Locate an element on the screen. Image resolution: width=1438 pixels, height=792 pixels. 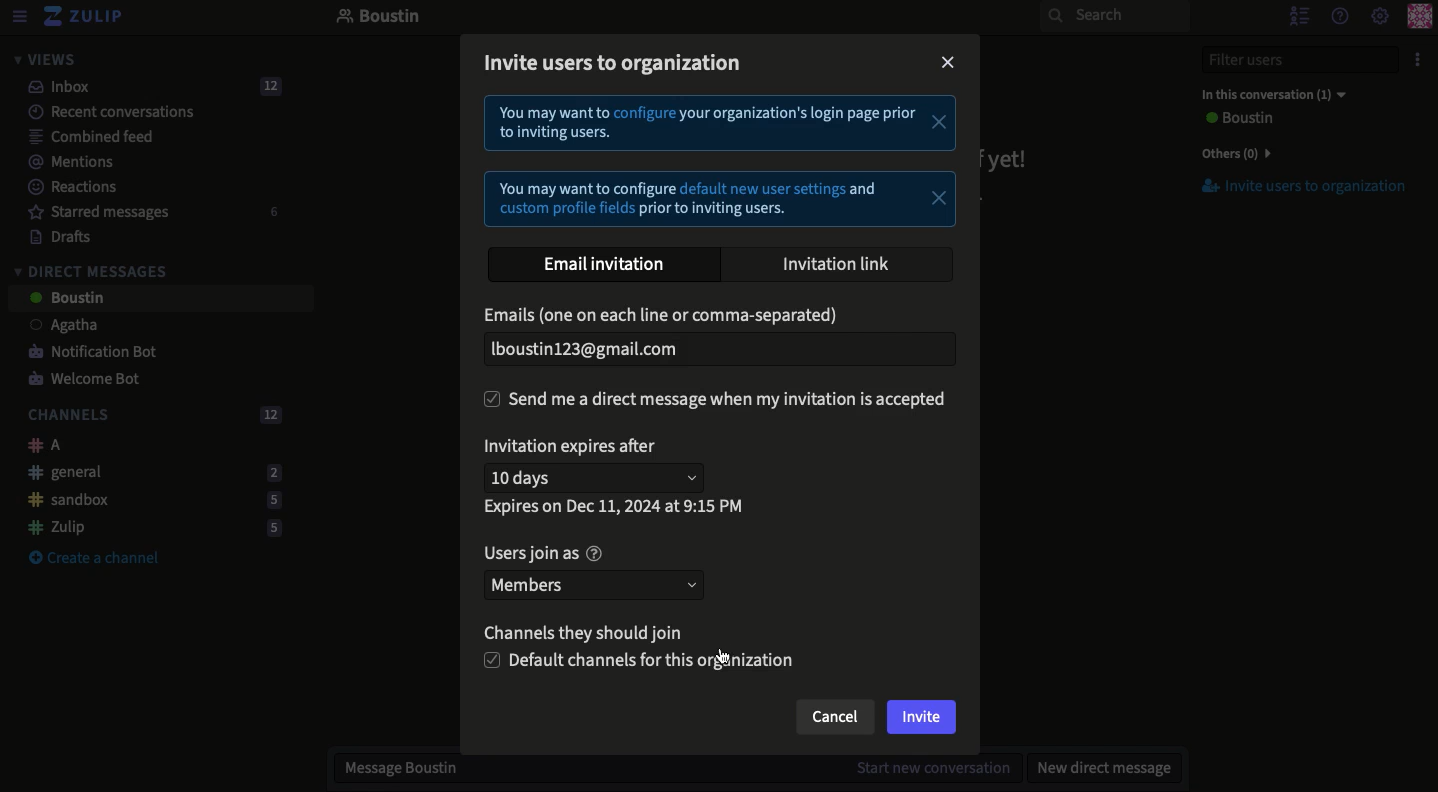
Email  is located at coordinates (666, 314).